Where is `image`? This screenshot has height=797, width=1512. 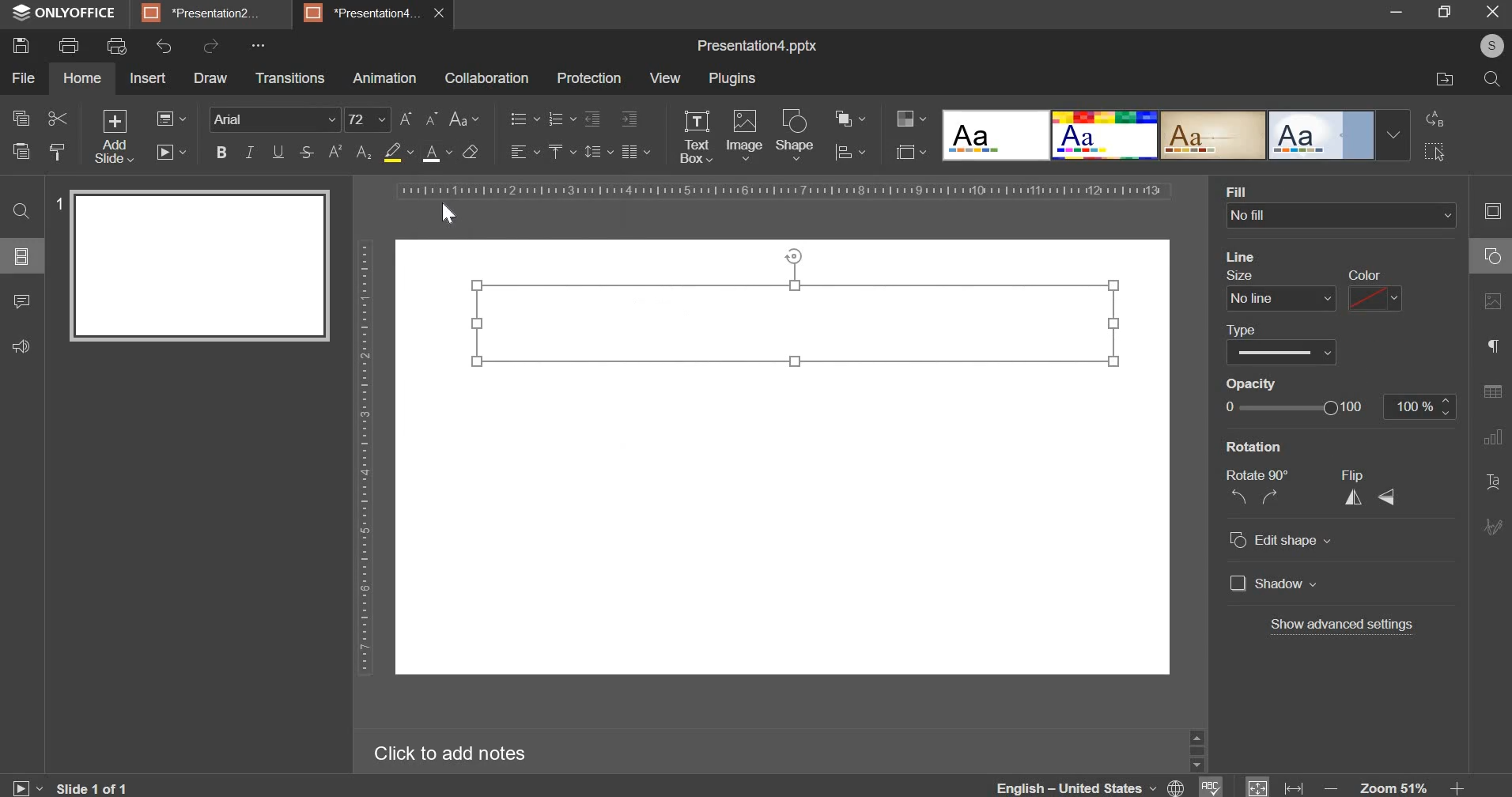
image is located at coordinates (1492, 309).